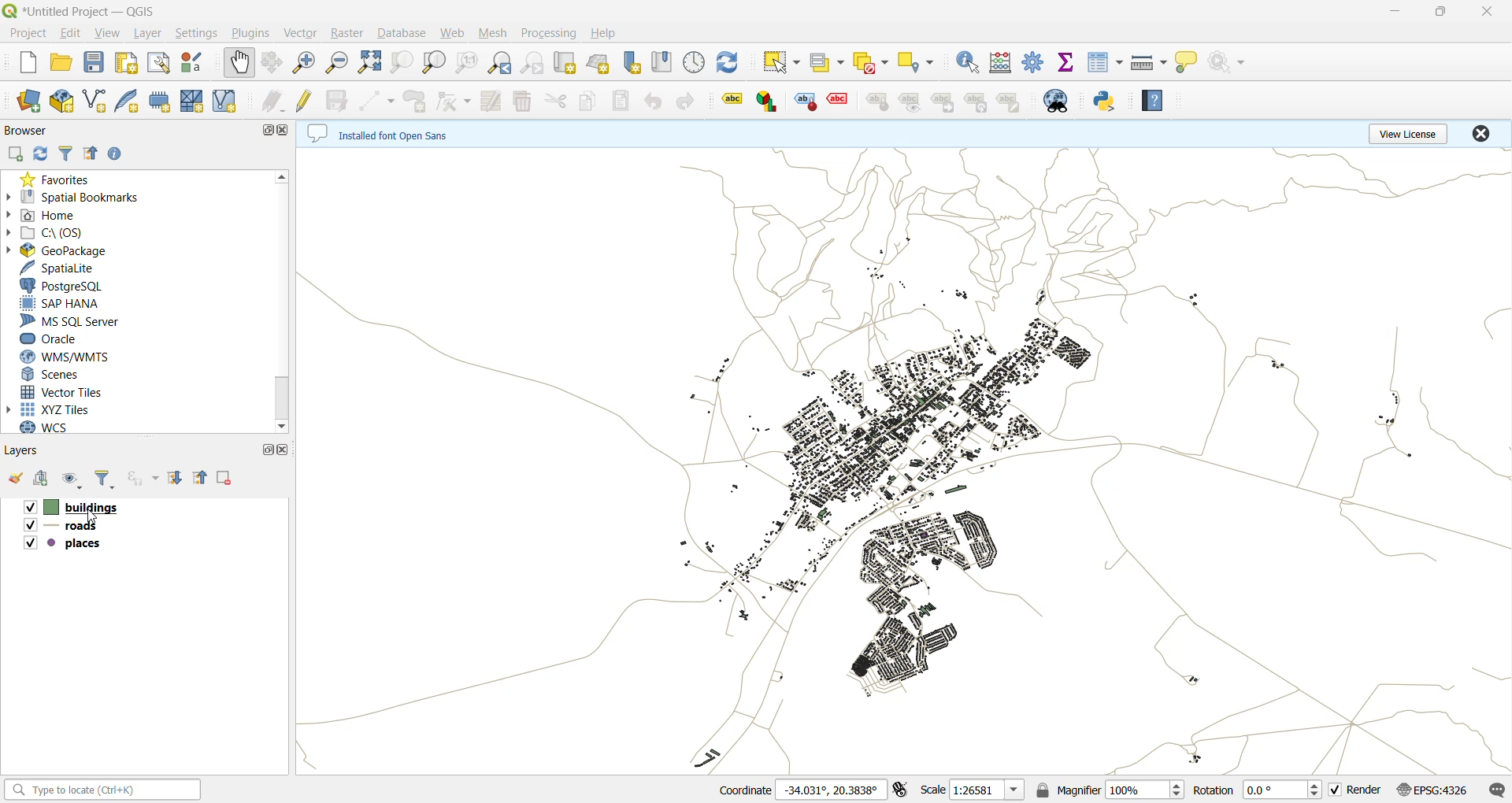 Image resolution: width=1512 pixels, height=803 pixels. I want to click on wcs, so click(59, 427).